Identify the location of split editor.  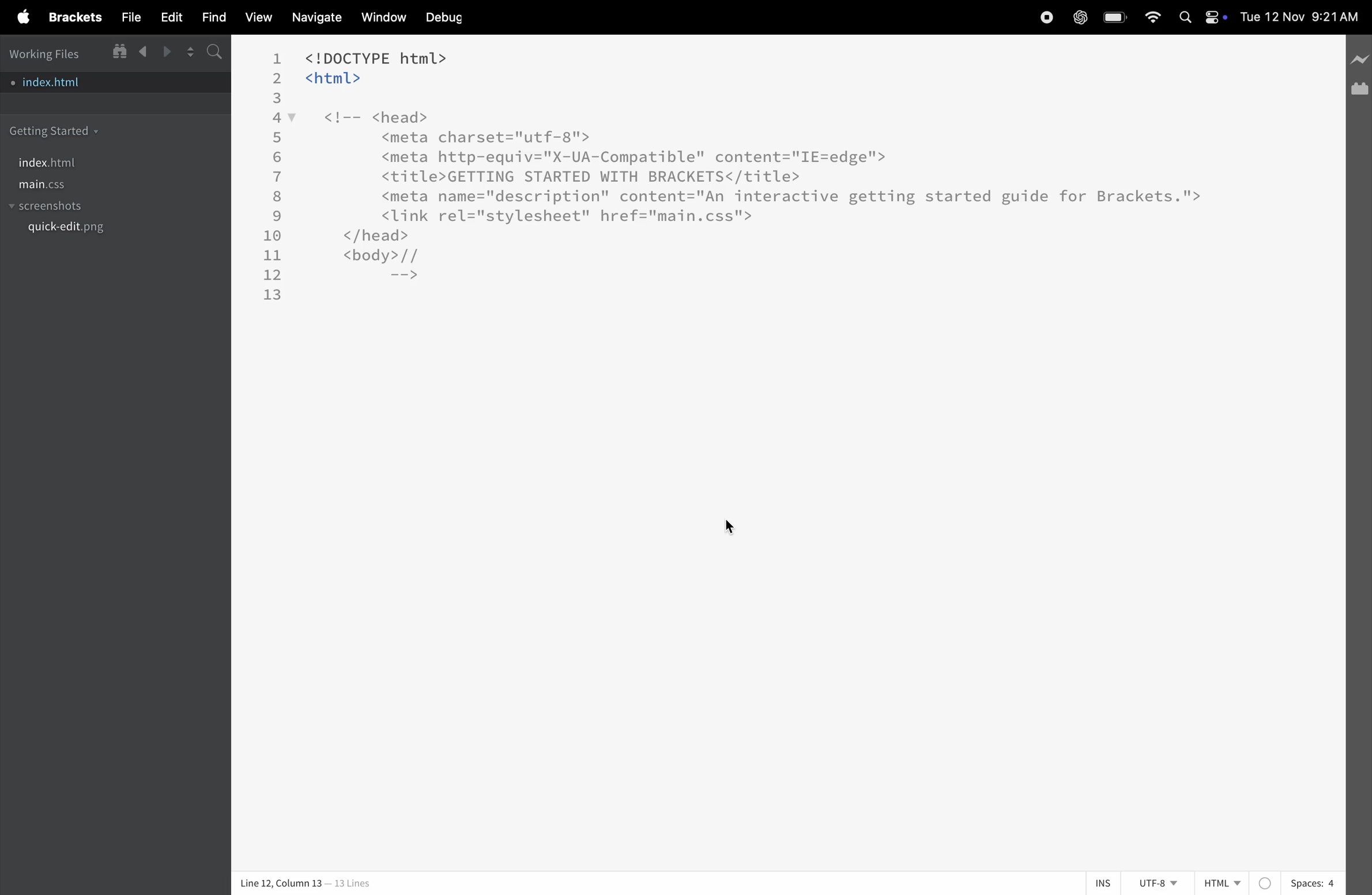
(188, 52).